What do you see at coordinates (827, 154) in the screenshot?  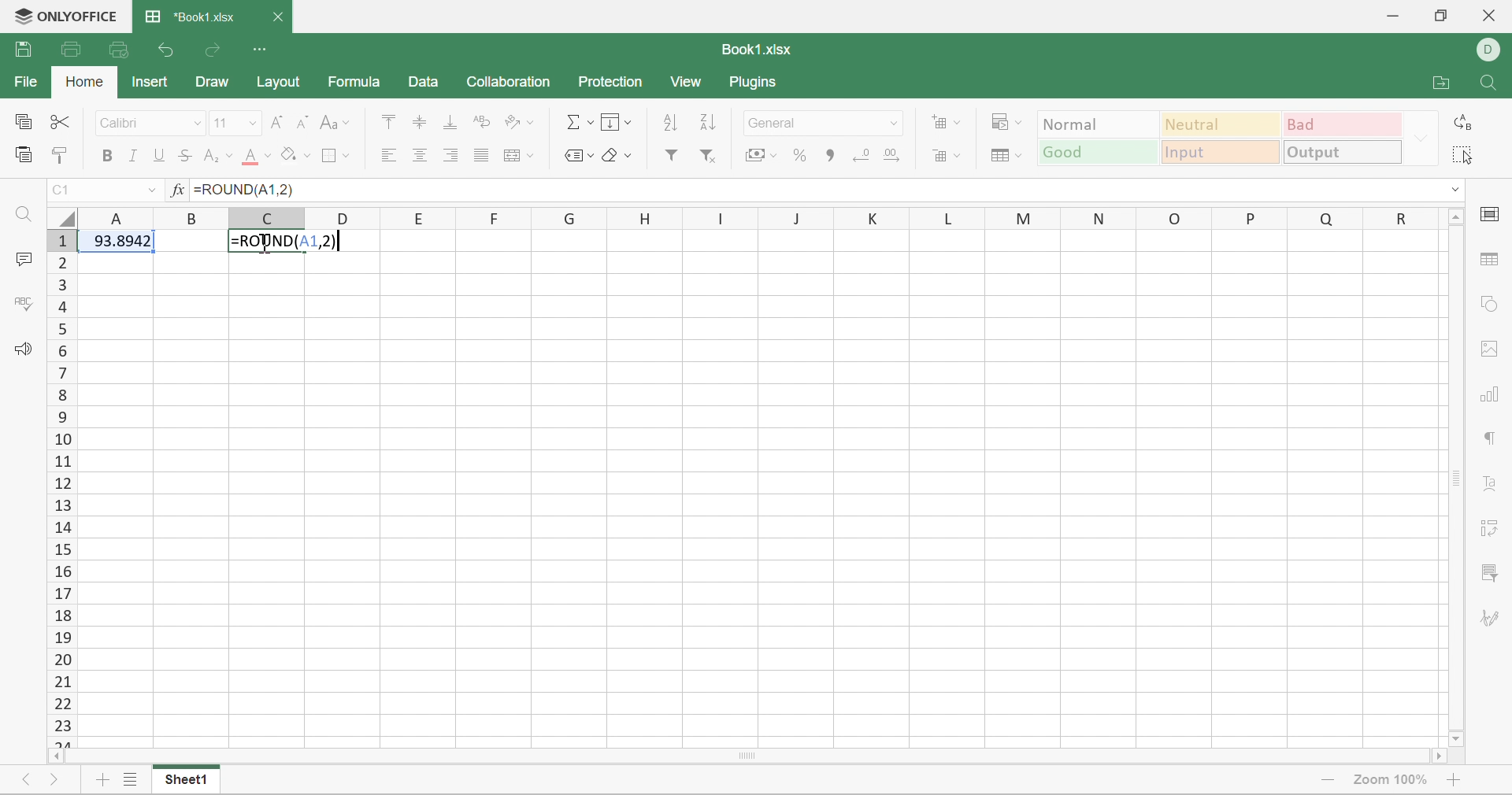 I see `Comma style` at bounding box center [827, 154].